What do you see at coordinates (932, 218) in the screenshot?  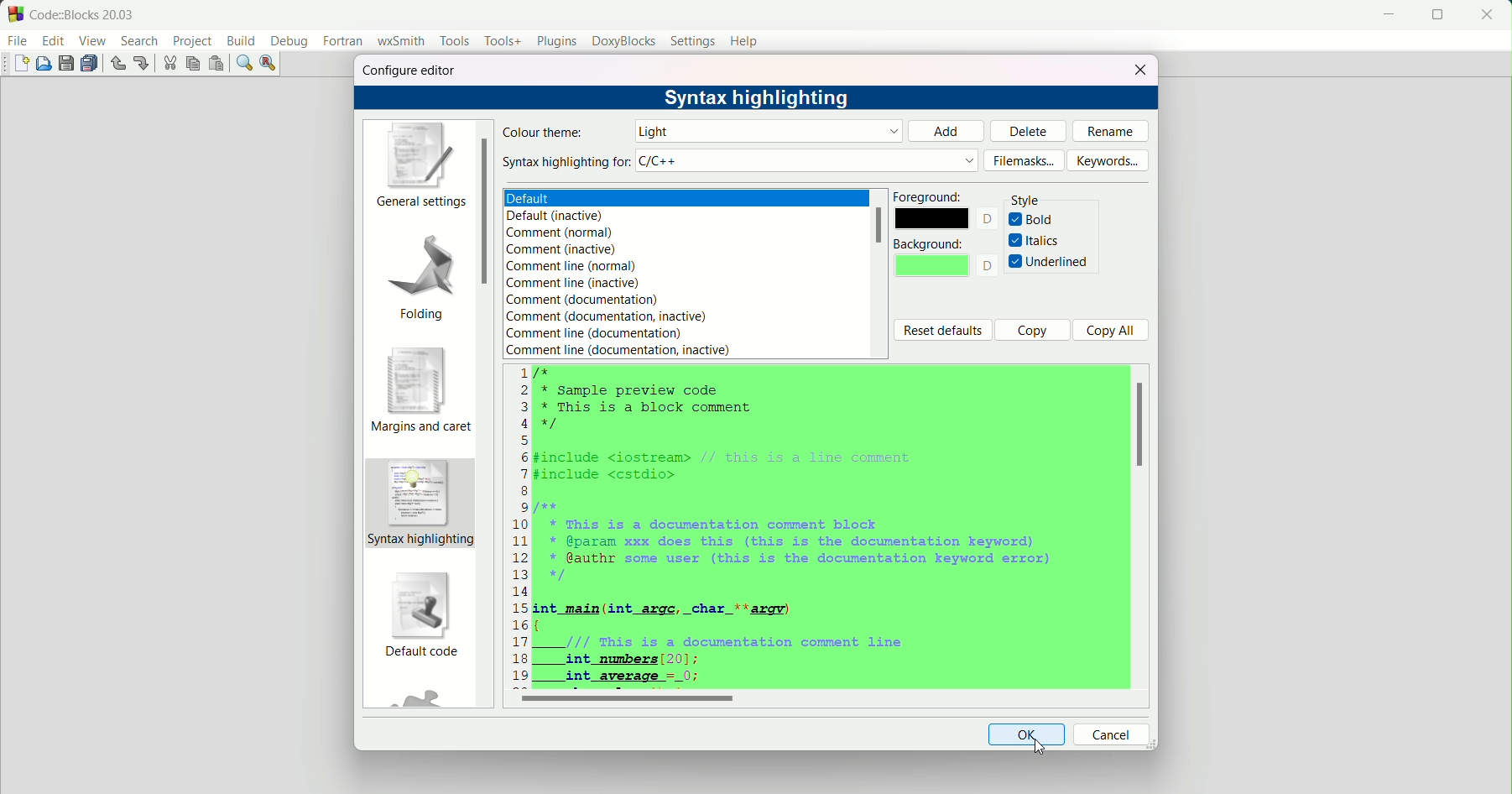 I see `color` at bounding box center [932, 218].